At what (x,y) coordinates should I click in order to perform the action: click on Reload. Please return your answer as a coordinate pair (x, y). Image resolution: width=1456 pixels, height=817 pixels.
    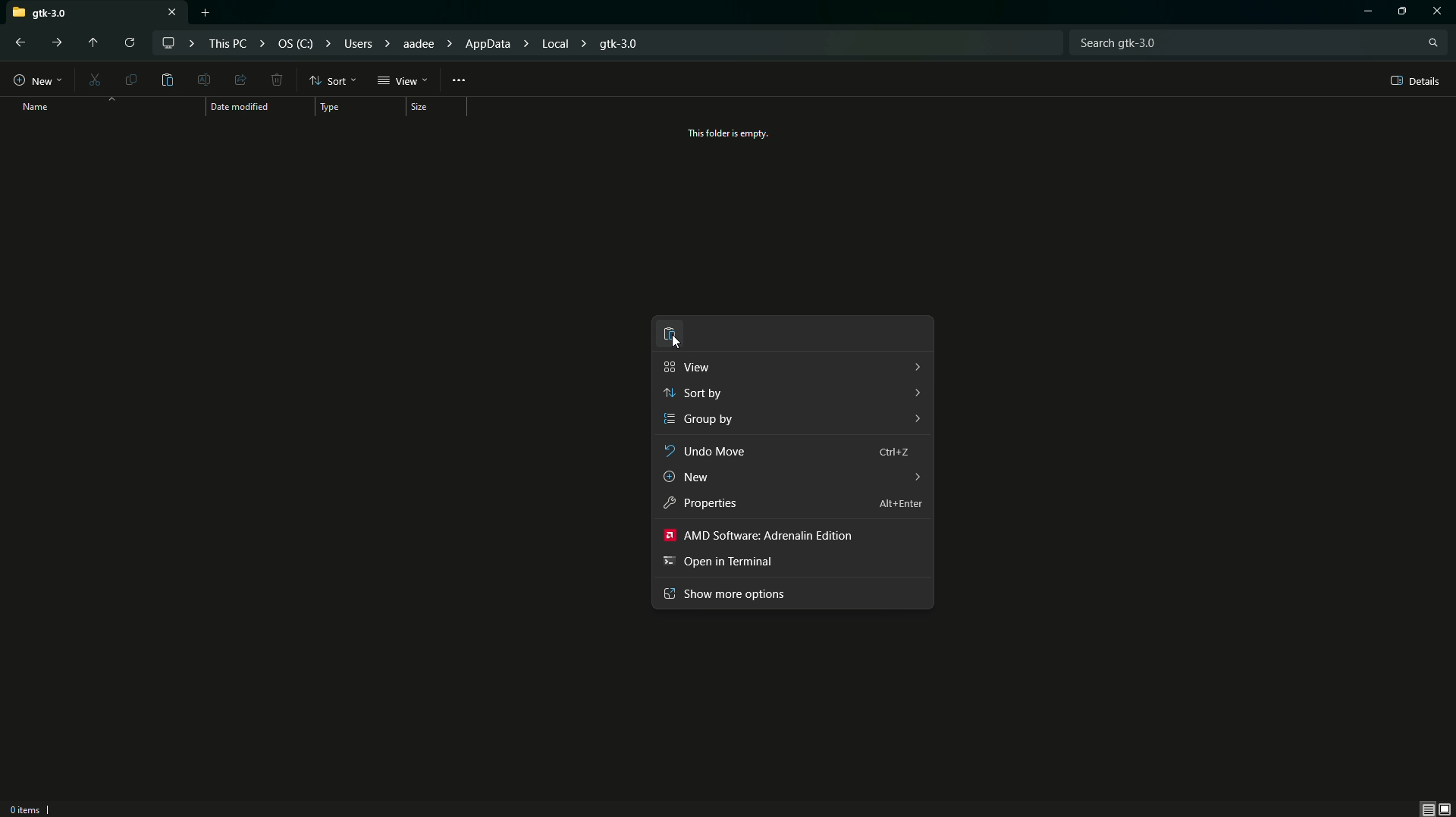
    Looking at the image, I should click on (127, 43).